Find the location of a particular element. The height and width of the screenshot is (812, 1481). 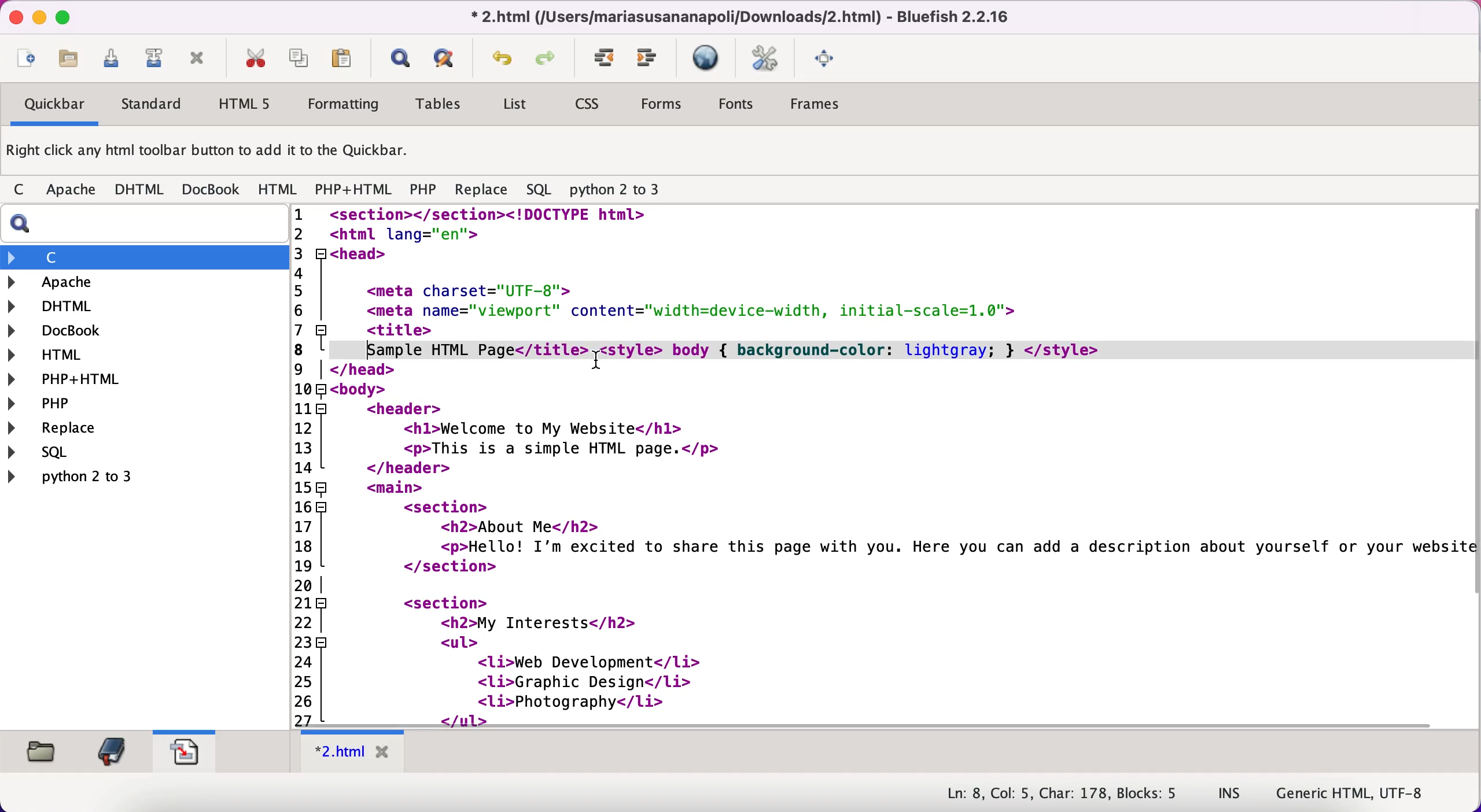

undo is located at coordinates (503, 61).